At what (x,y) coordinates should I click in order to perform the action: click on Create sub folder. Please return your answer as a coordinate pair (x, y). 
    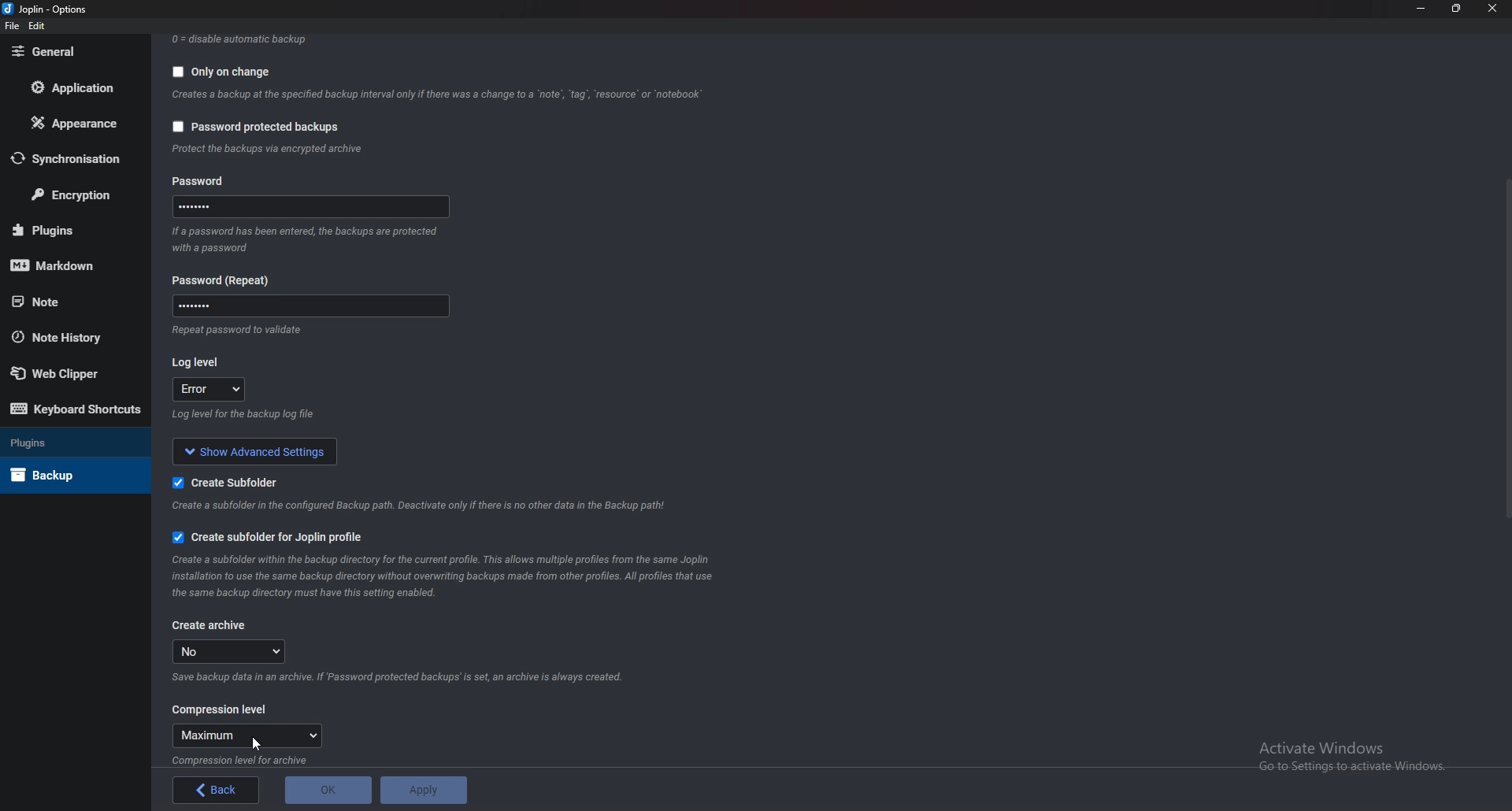
    Looking at the image, I should click on (235, 480).